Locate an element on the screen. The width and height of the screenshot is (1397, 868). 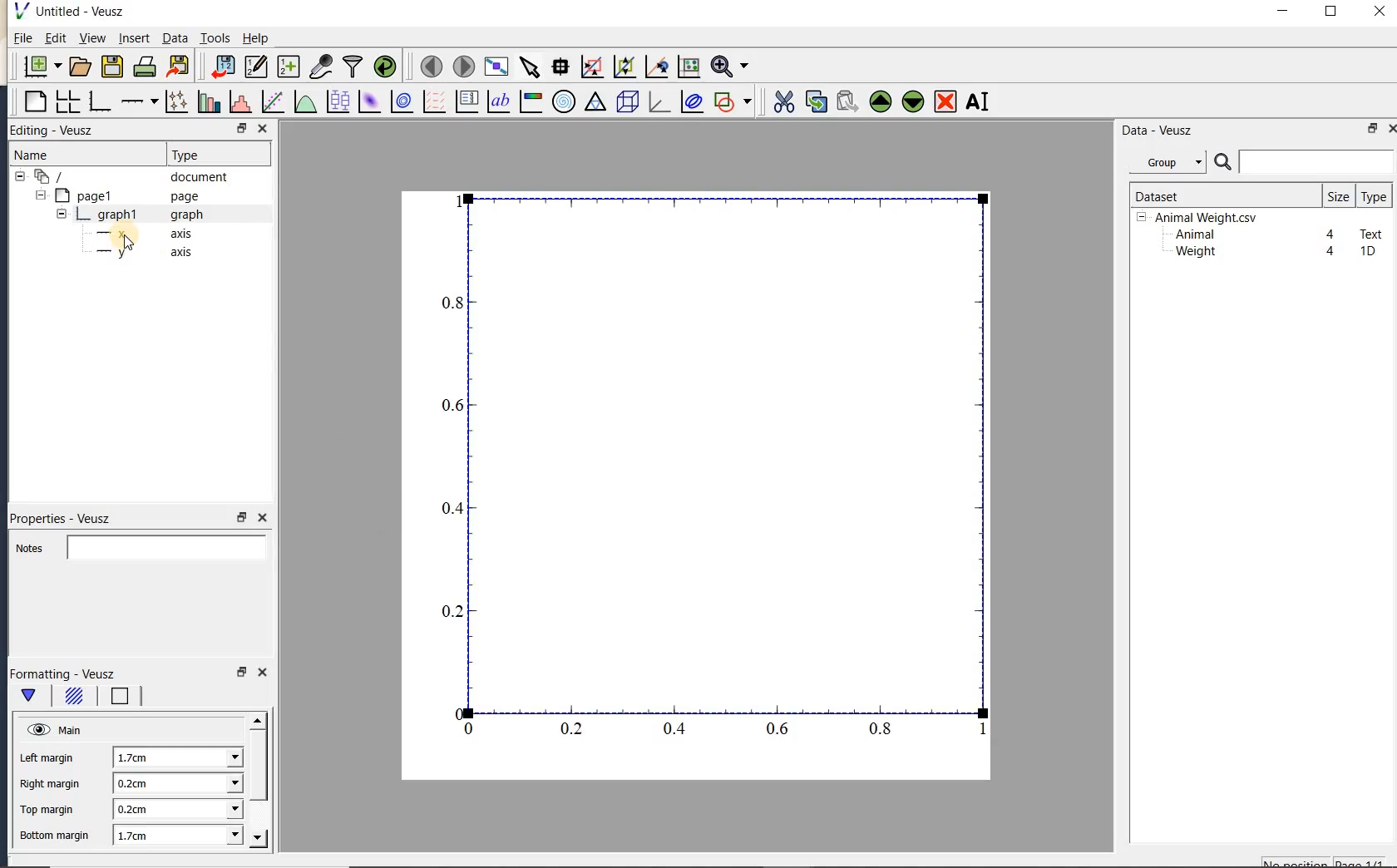
move to the next page is located at coordinates (462, 65).